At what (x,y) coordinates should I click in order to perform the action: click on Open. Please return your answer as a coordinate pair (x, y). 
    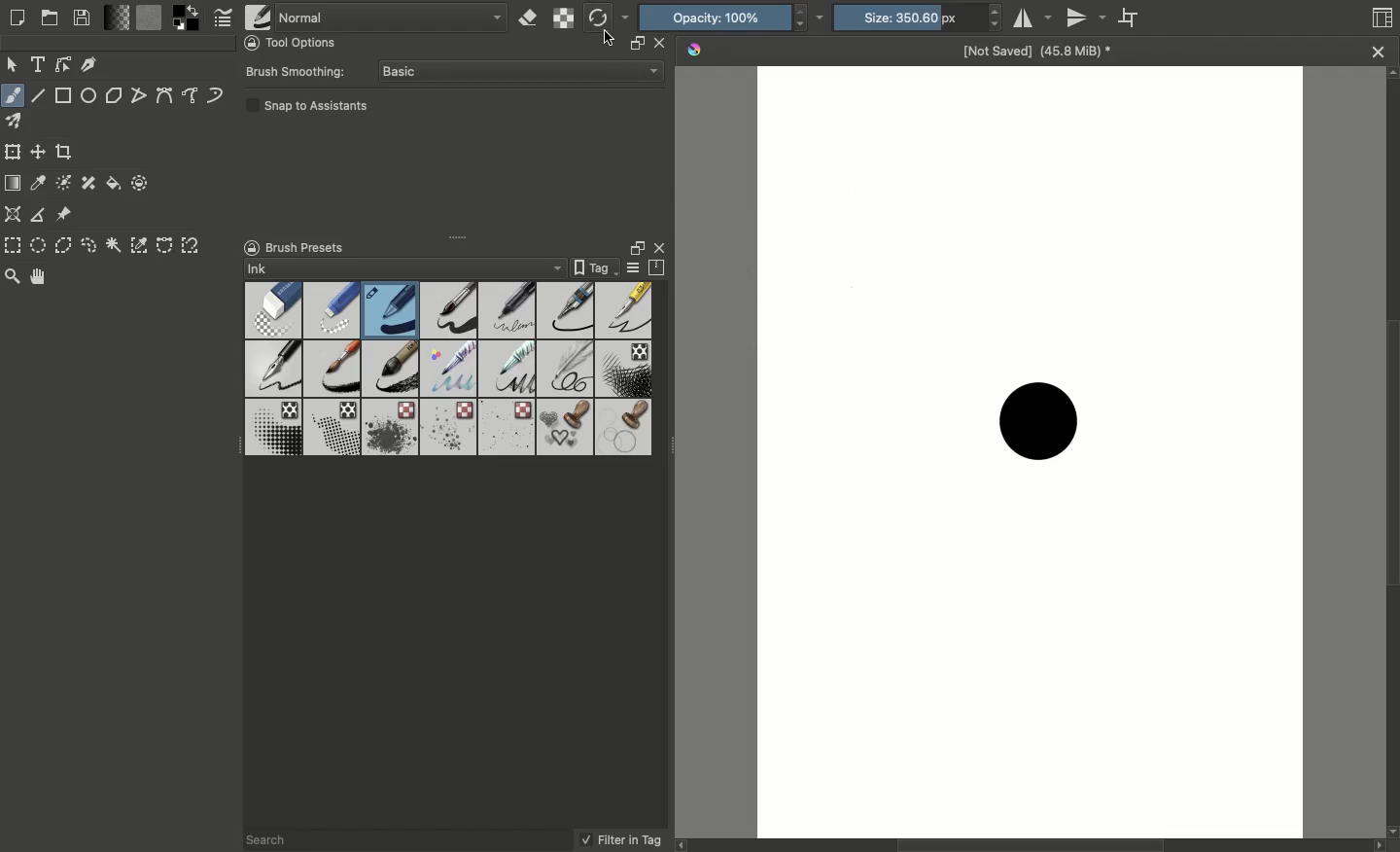
    Looking at the image, I should click on (51, 18).